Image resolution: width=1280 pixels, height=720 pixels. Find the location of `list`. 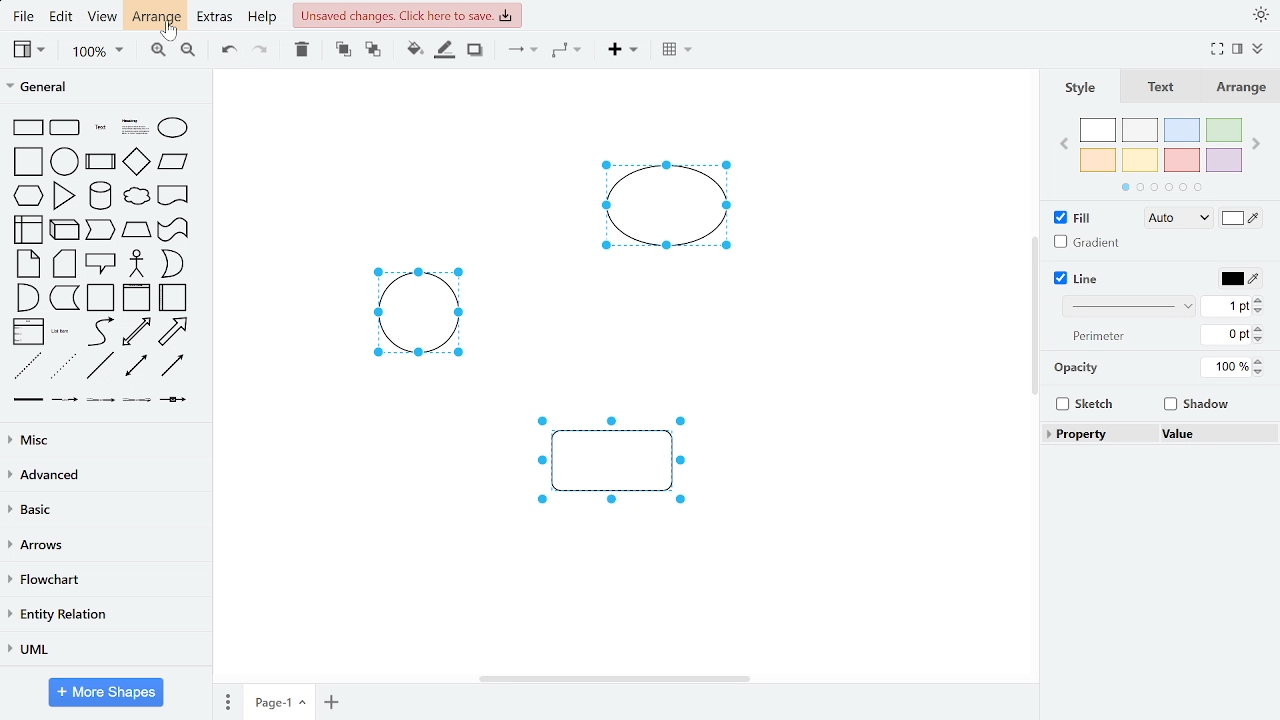

list is located at coordinates (29, 331).